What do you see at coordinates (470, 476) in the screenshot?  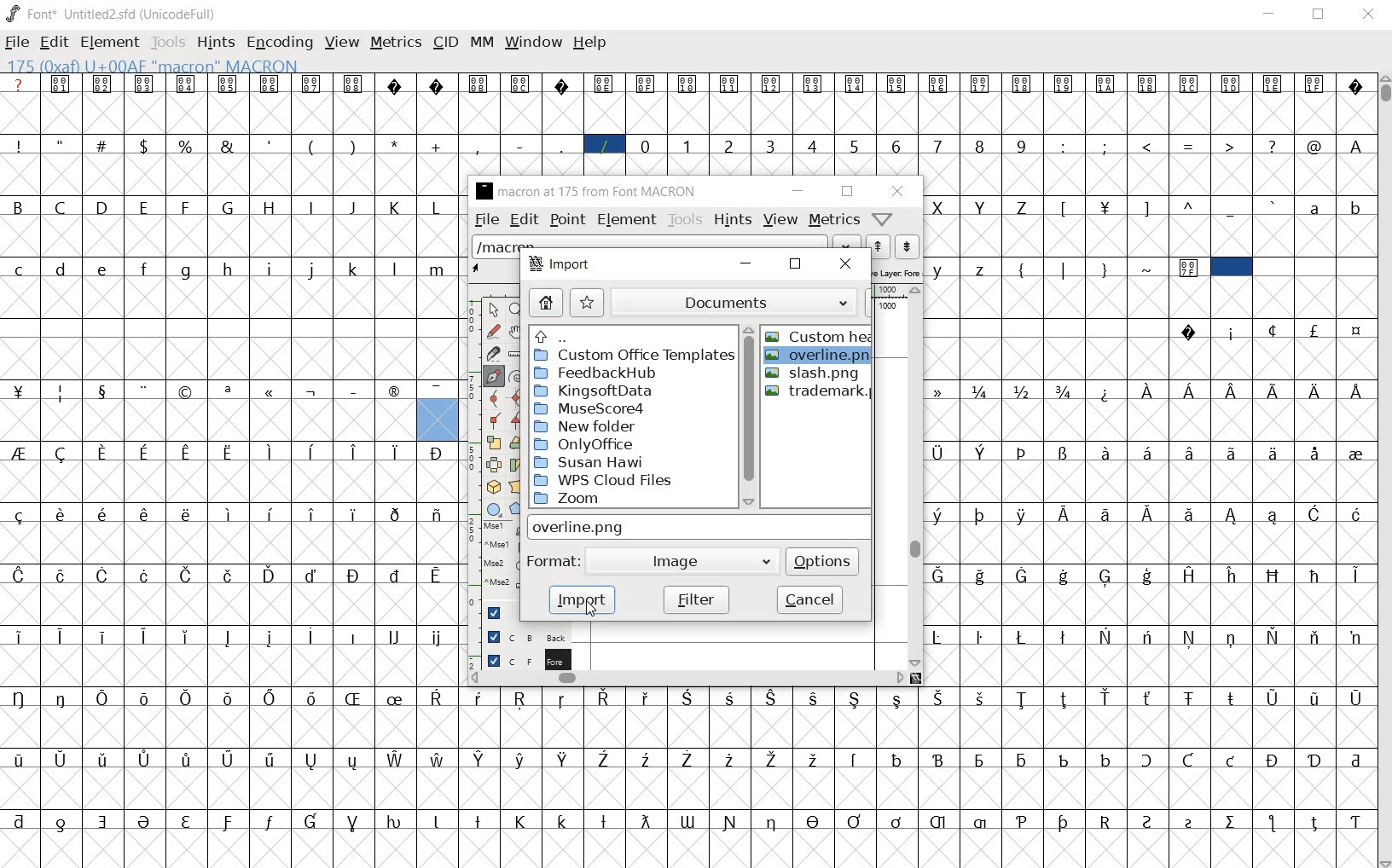 I see `ruler` at bounding box center [470, 476].